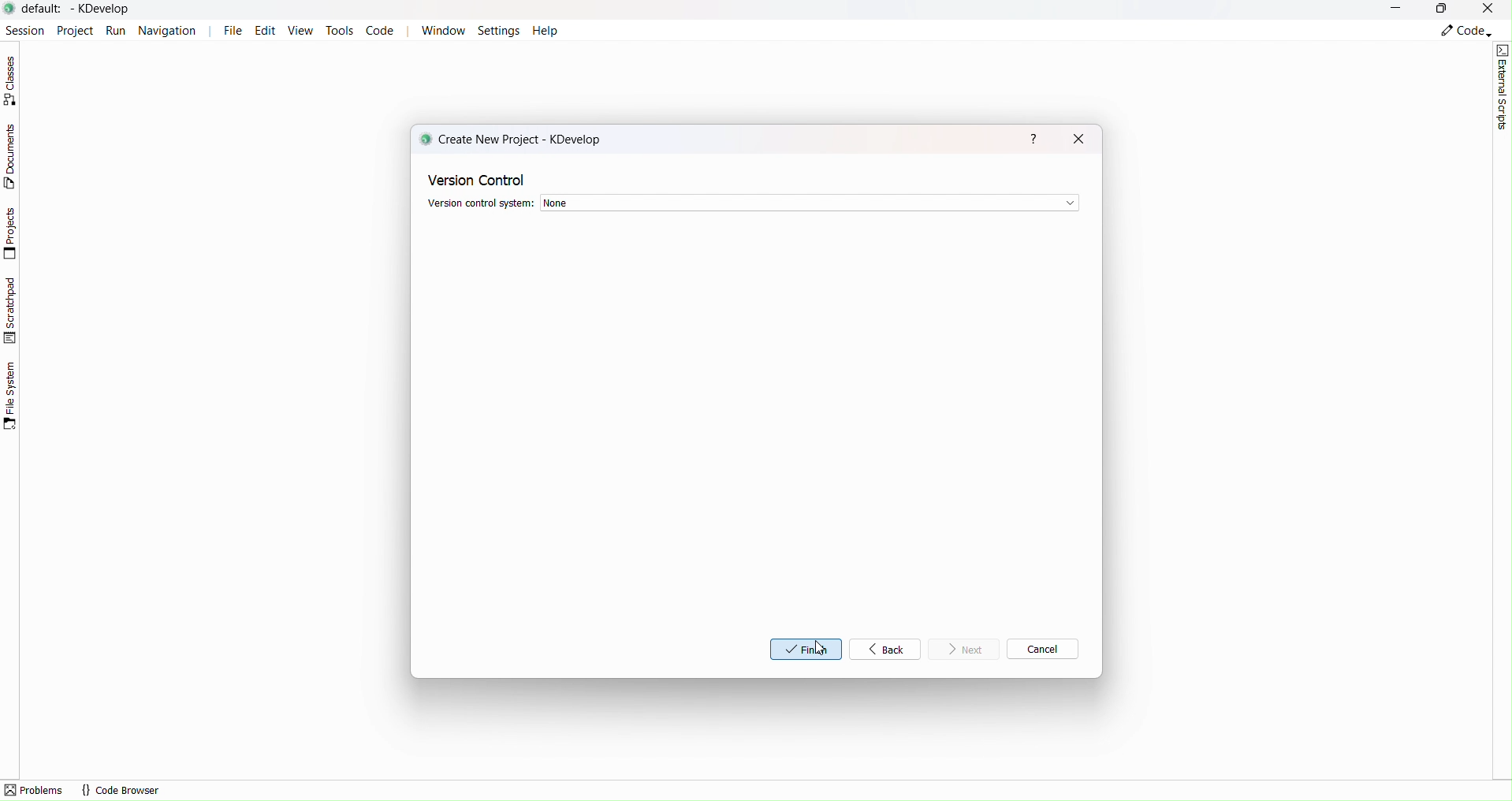 The image size is (1512, 801). What do you see at coordinates (1490, 9) in the screenshot?
I see `Close` at bounding box center [1490, 9].